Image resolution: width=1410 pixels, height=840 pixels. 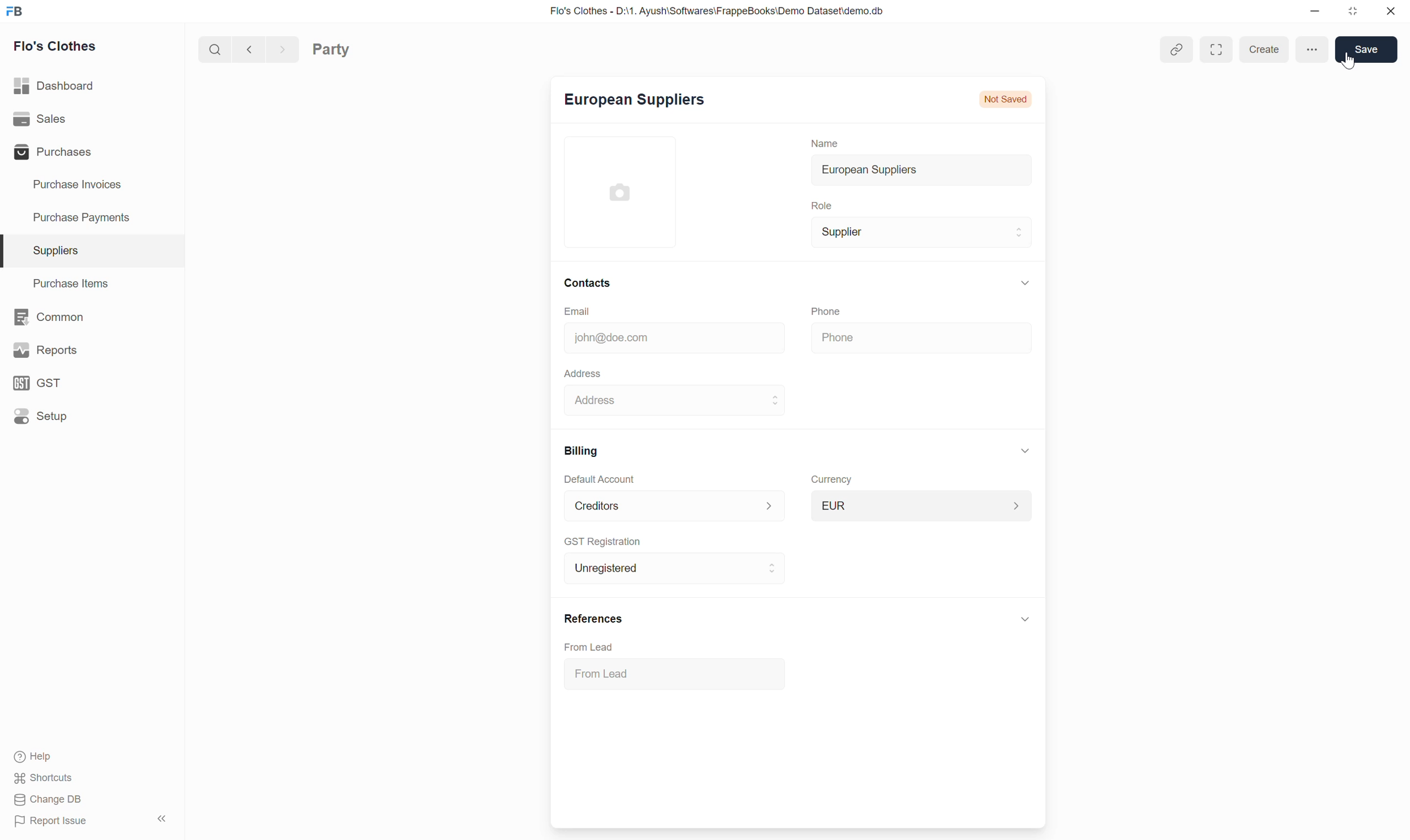 What do you see at coordinates (39, 118) in the screenshot?
I see `sales` at bounding box center [39, 118].